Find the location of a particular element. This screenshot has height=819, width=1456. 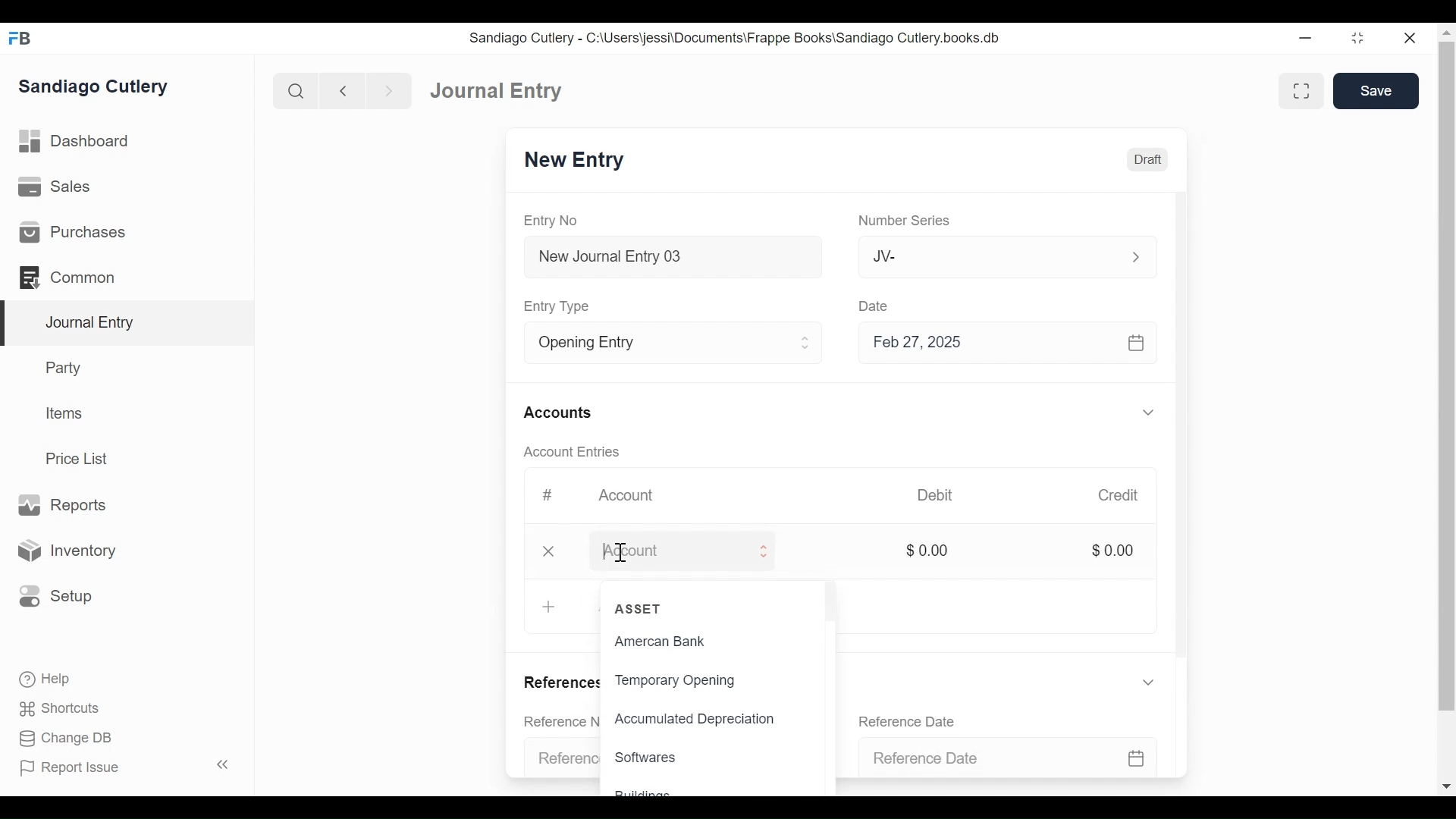

Restore is located at coordinates (1360, 39).